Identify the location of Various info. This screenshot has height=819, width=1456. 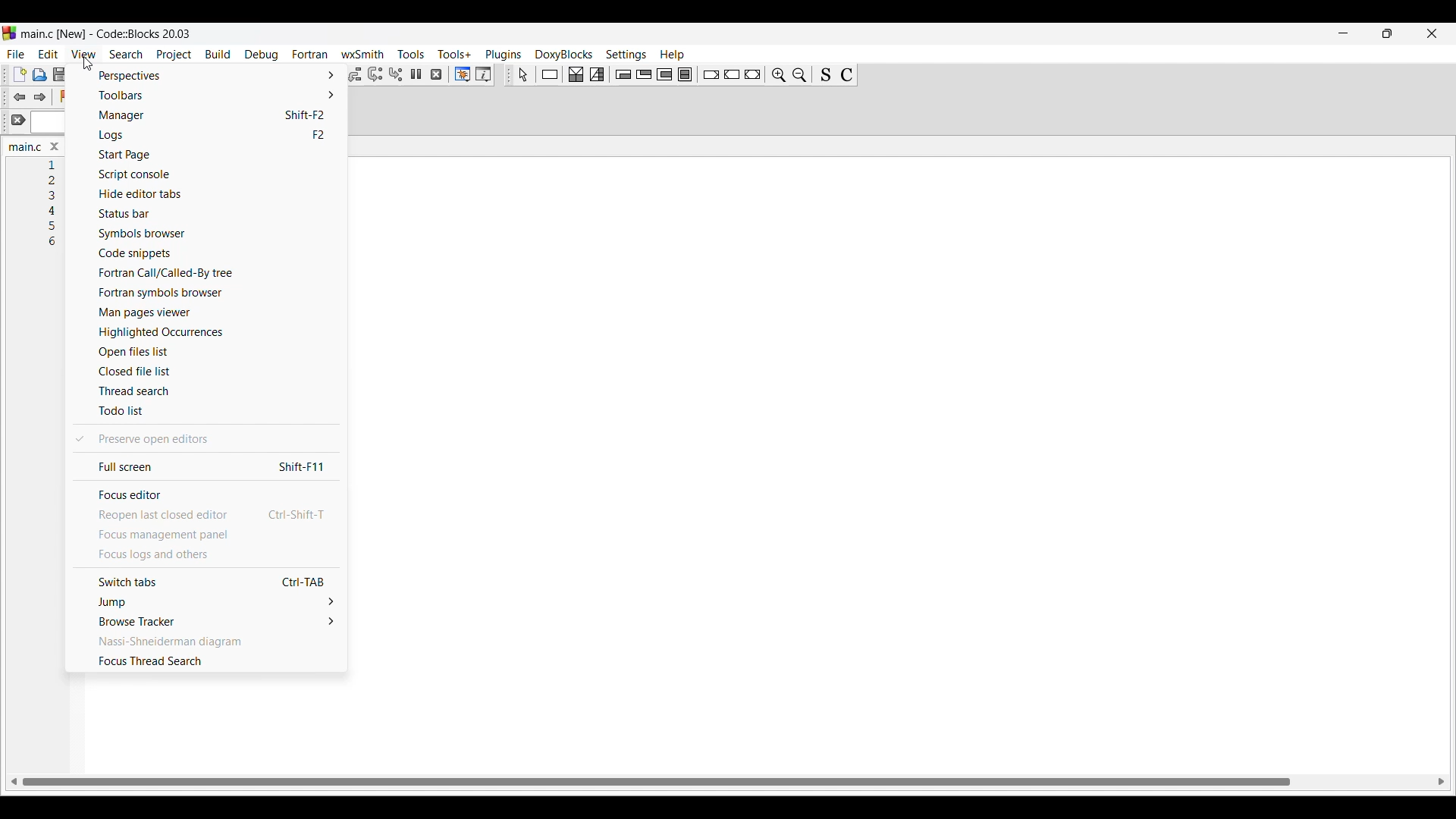
(483, 74).